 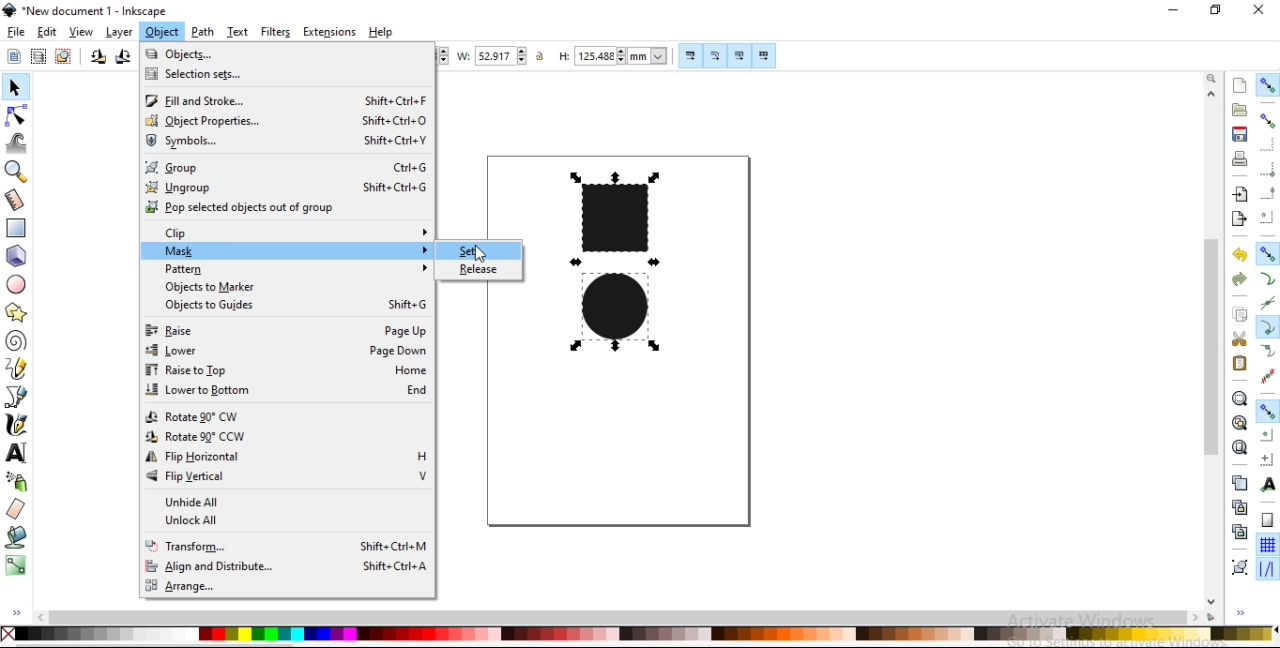 What do you see at coordinates (292, 233) in the screenshot?
I see `clip` at bounding box center [292, 233].